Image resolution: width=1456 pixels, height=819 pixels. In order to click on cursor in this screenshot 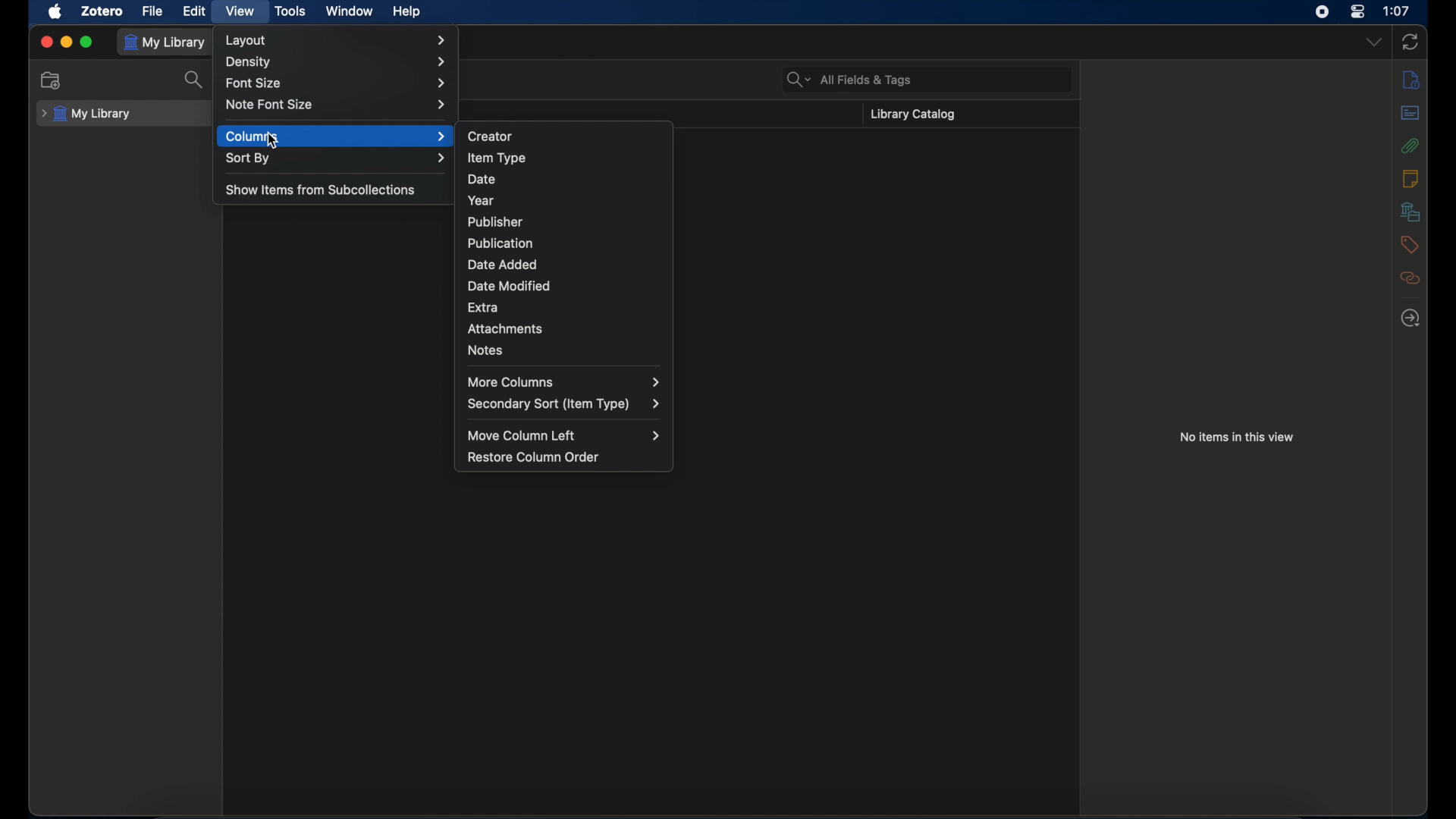, I will do `click(272, 140)`.